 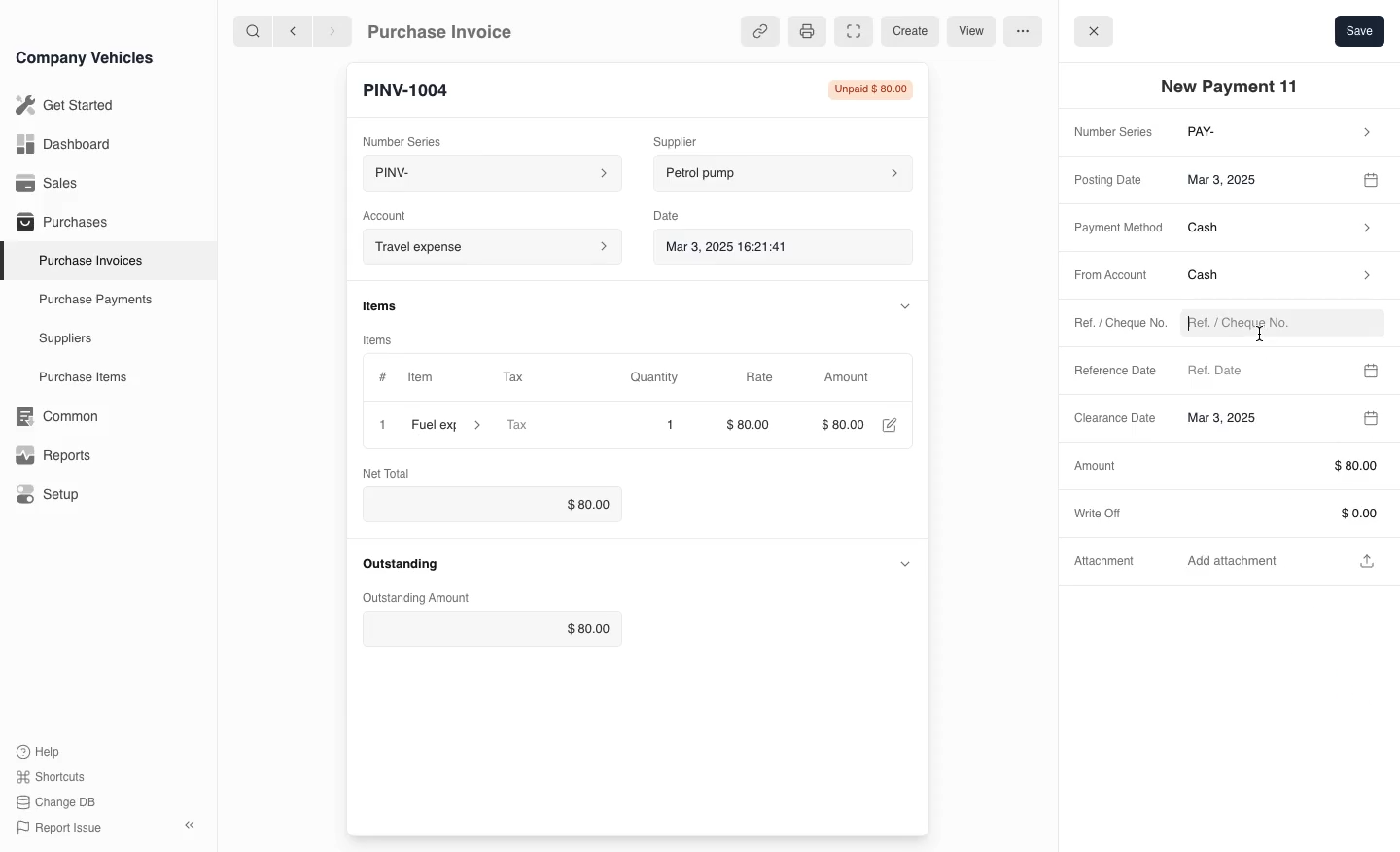 What do you see at coordinates (1372, 368) in the screenshot?
I see `calender` at bounding box center [1372, 368].